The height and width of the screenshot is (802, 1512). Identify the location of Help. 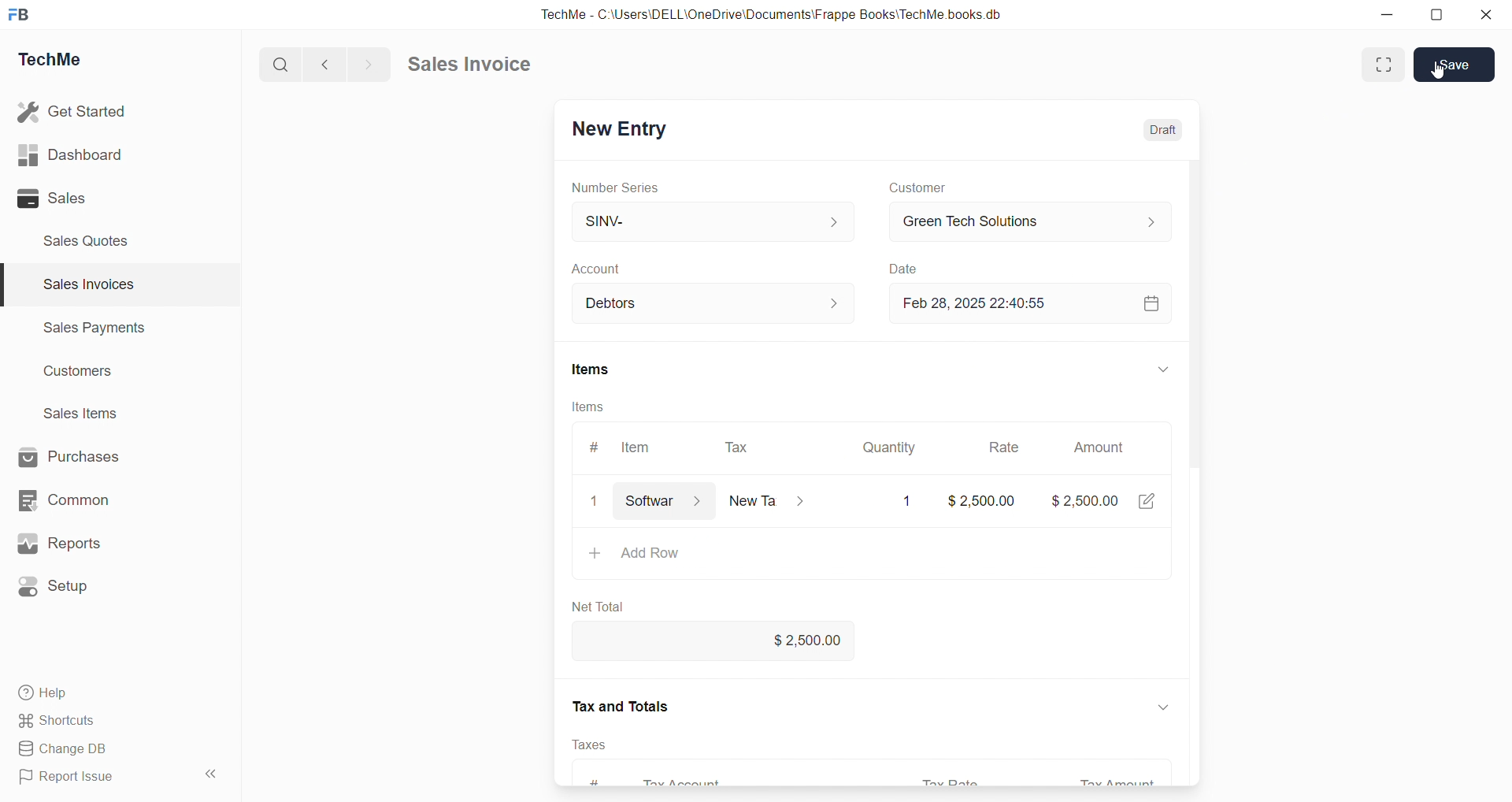
(46, 693).